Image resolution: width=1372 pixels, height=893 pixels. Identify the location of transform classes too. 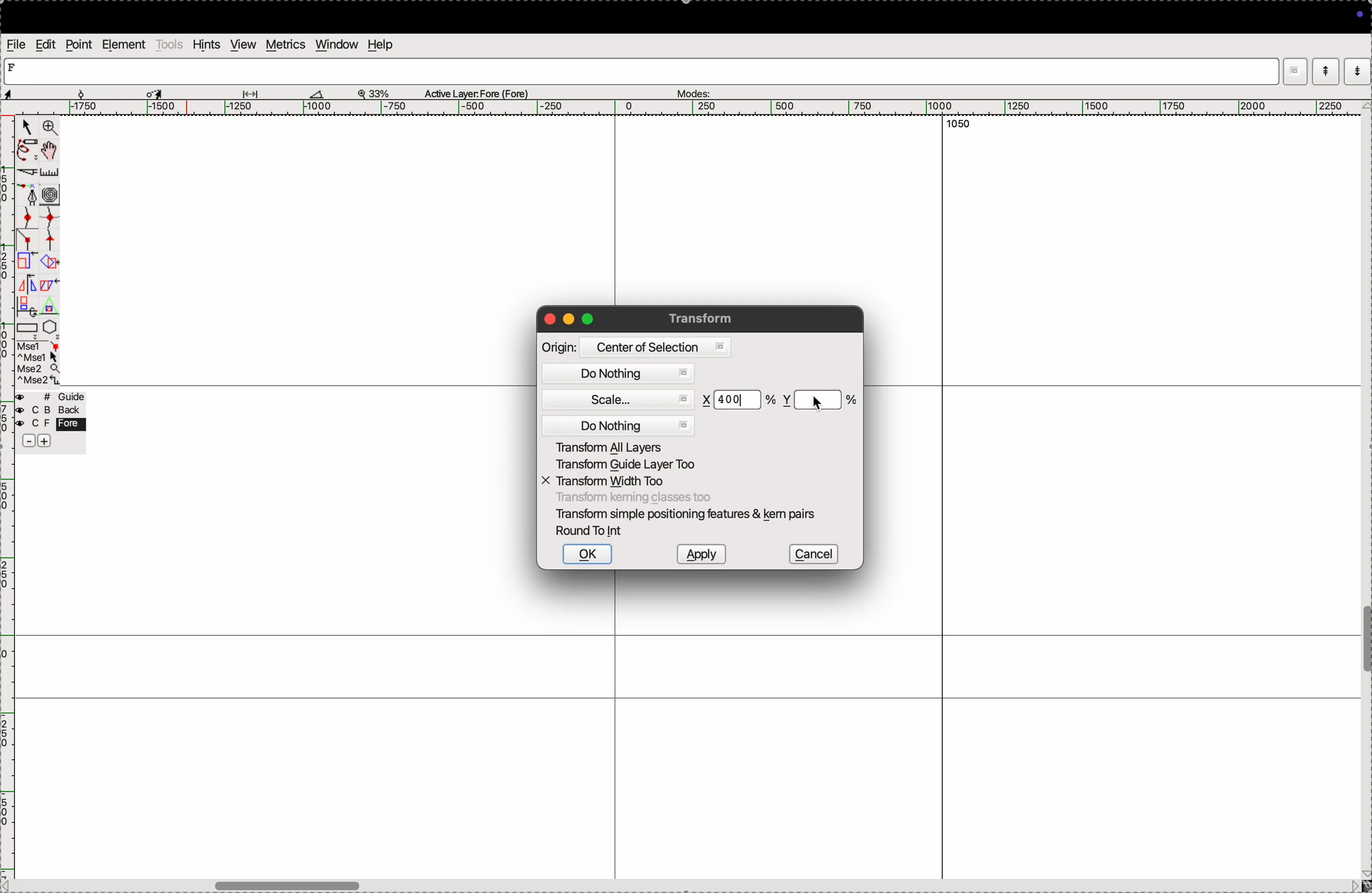
(633, 498).